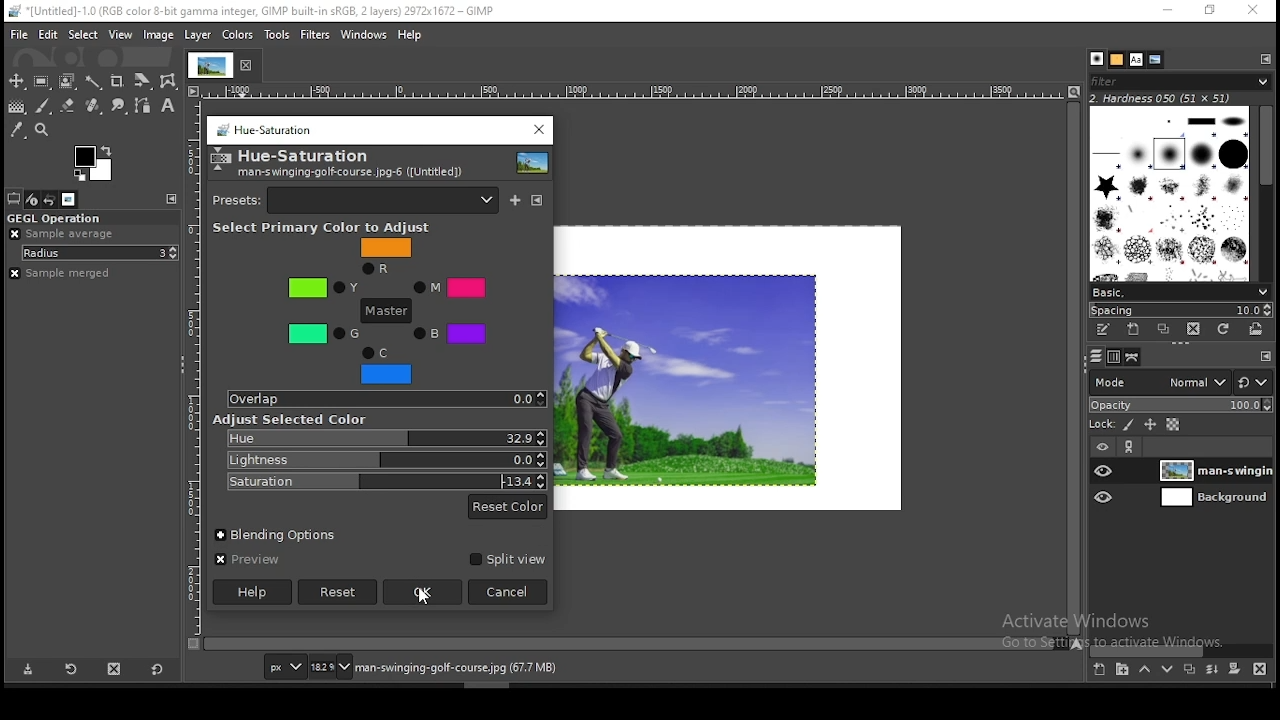  What do you see at coordinates (146, 109) in the screenshot?
I see `paths tool` at bounding box center [146, 109].